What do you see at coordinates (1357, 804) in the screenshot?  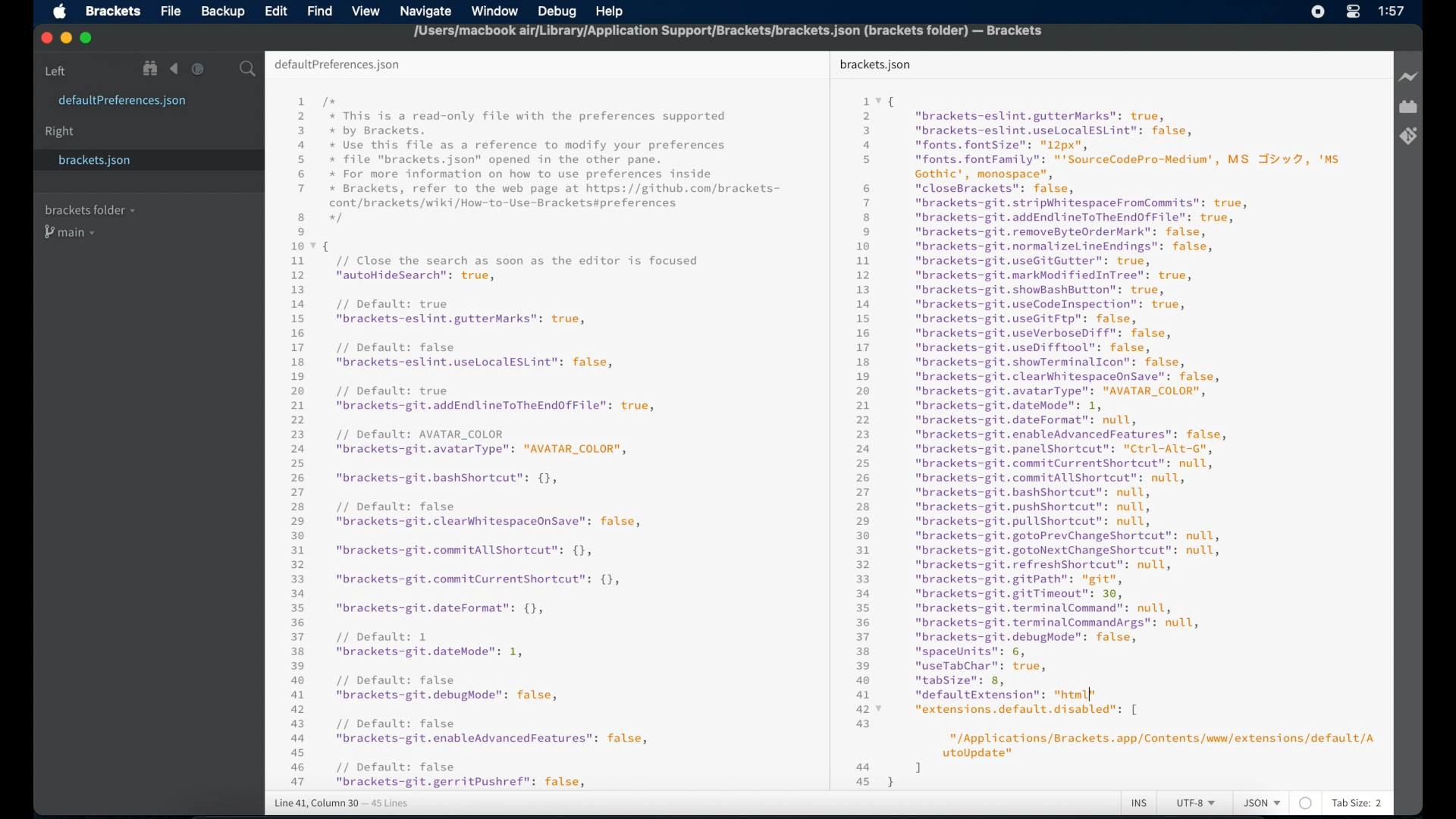 I see `tab size: 2` at bounding box center [1357, 804].